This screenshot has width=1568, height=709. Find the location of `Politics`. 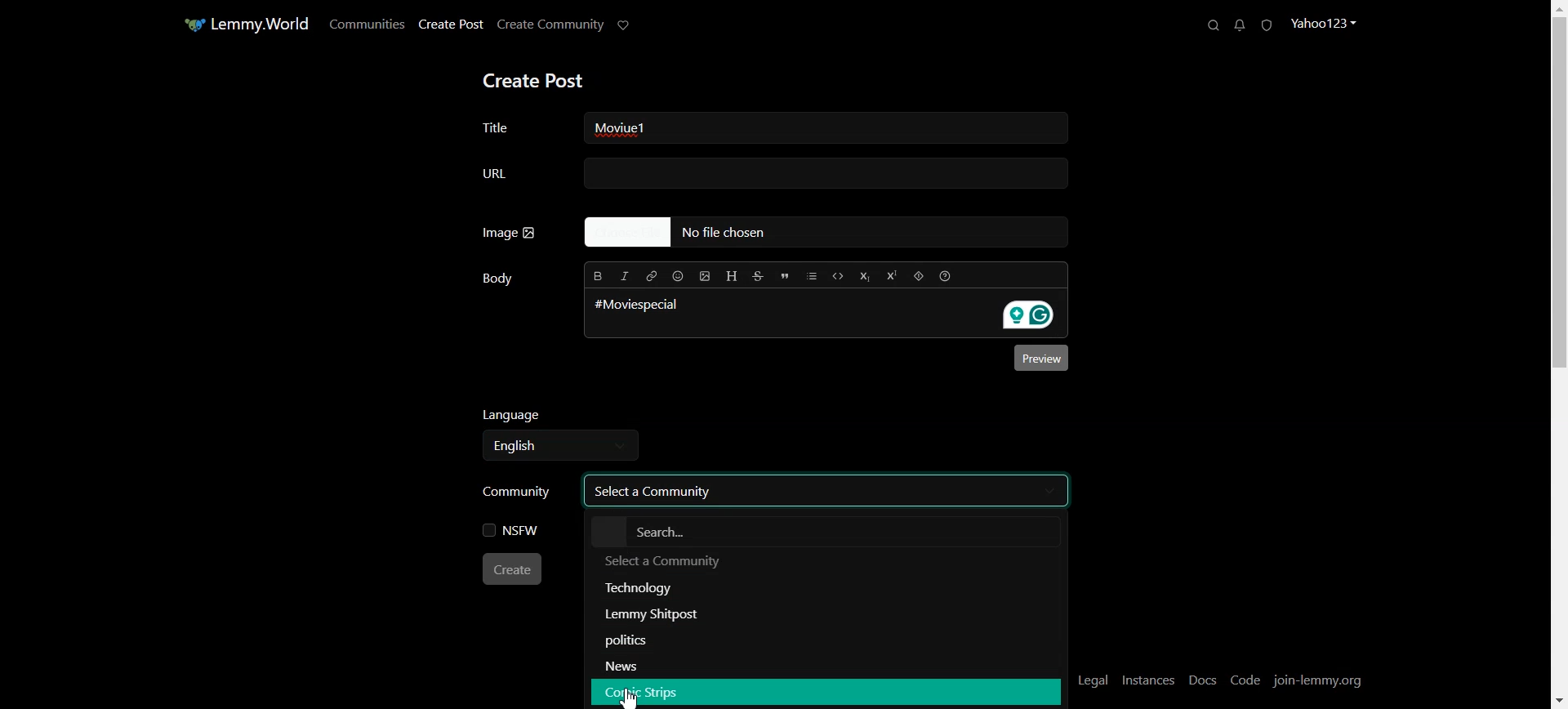

Politics is located at coordinates (626, 641).